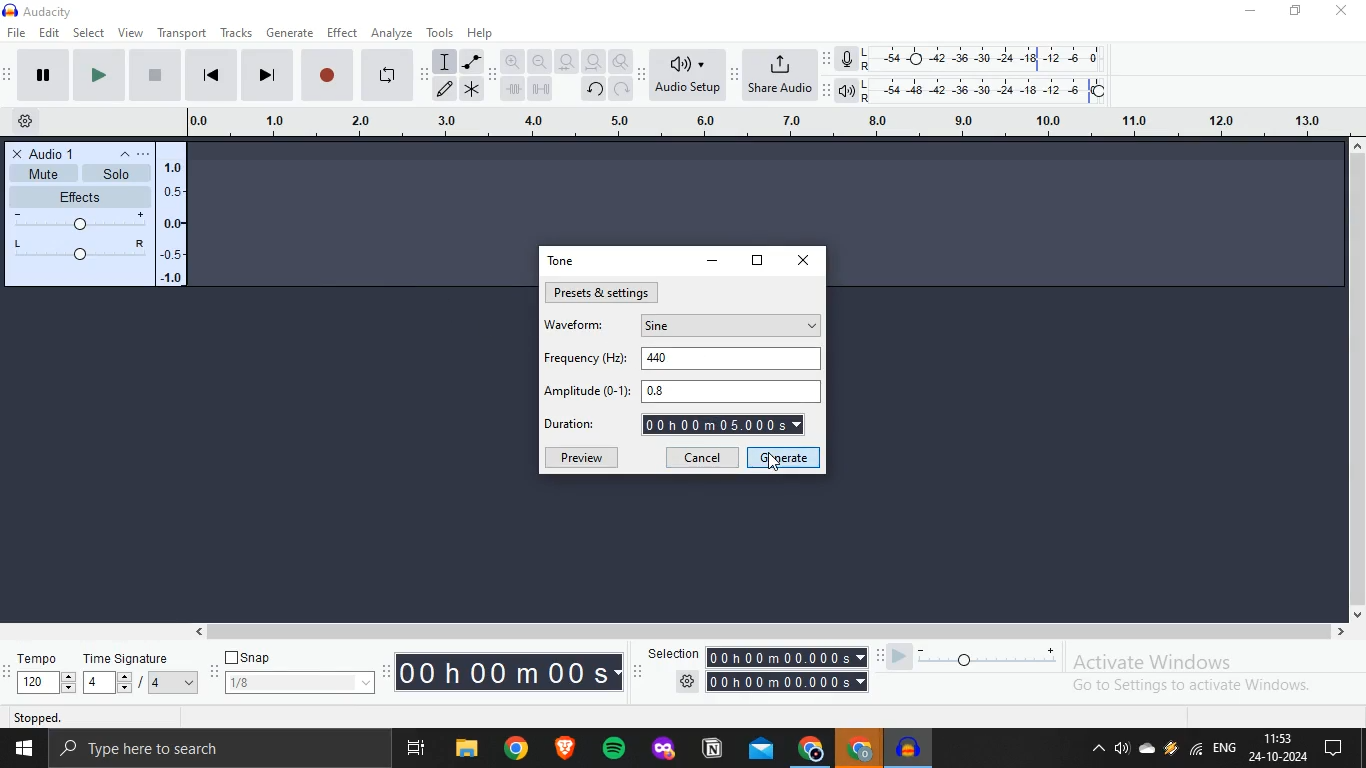  What do you see at coordinates (220, 749) in the screenshot?
I see `Search bar` at bounding box center [220, 749].